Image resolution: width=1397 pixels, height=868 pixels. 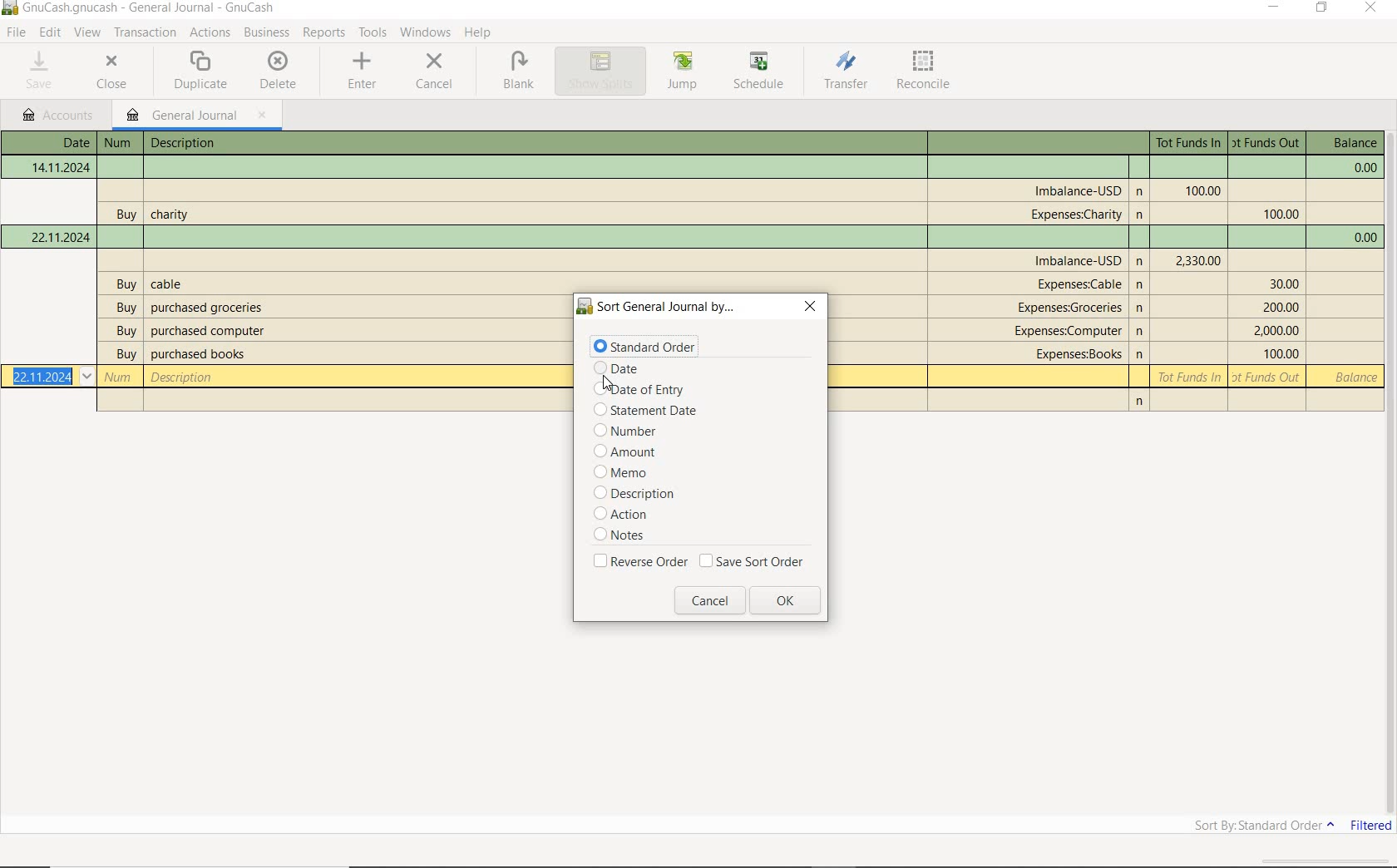 I want to click on Tot Funds In, so click(x=1190, y=143).